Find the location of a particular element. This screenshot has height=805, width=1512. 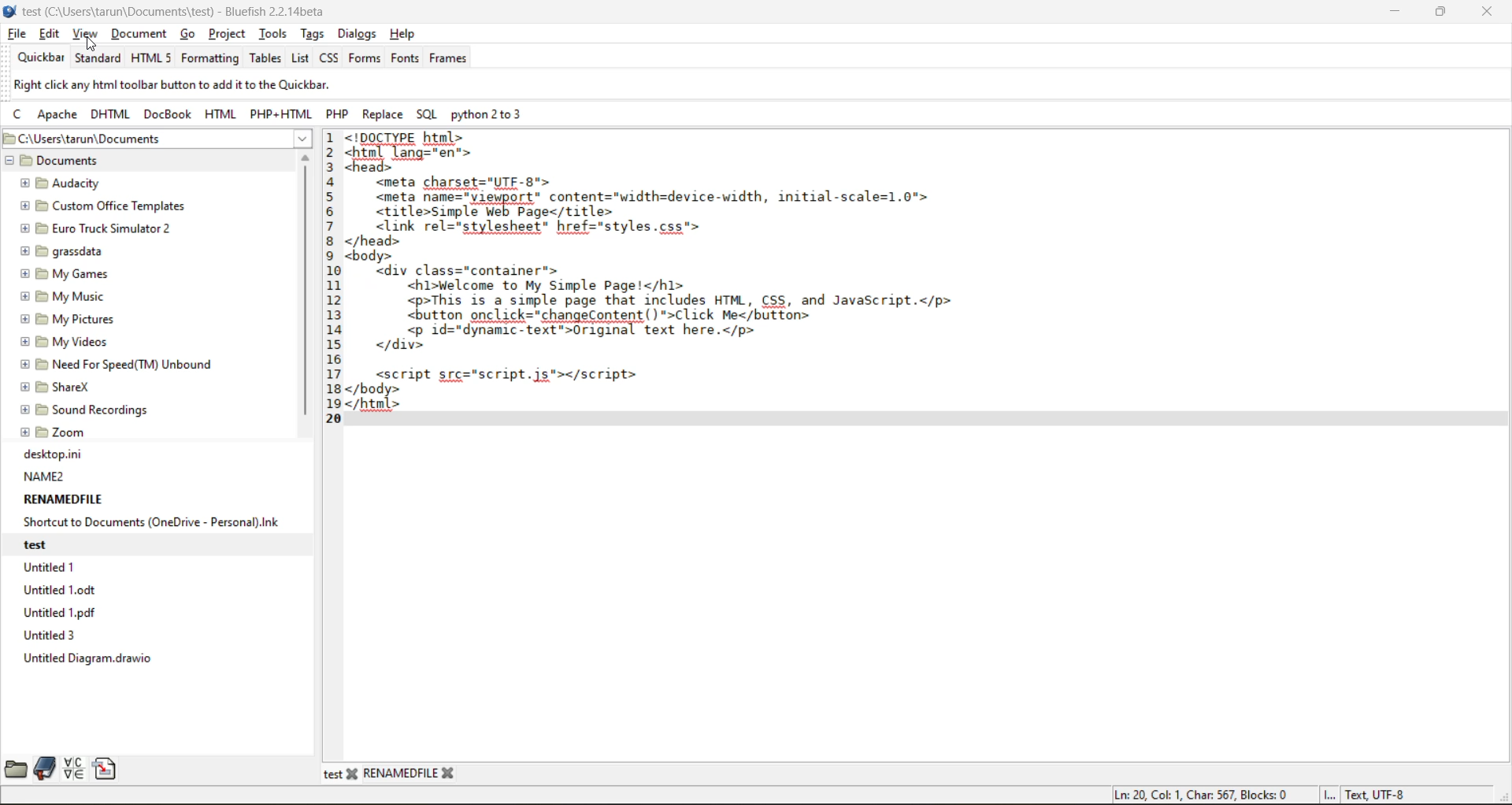

frames is located at coordinates (452, 60).